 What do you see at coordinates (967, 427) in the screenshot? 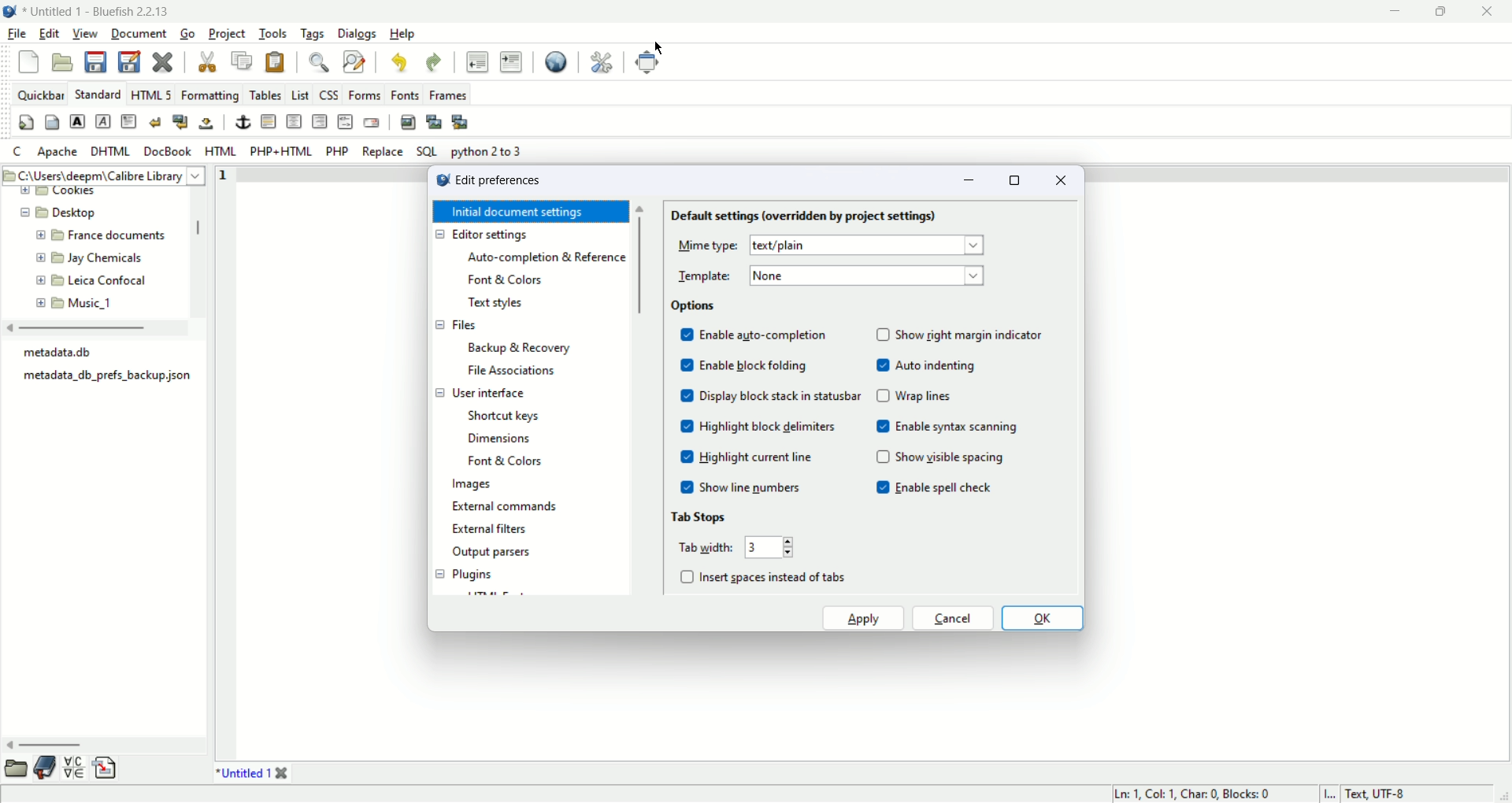
I see `enable syntax scanning` at bounding box center [967, 427].